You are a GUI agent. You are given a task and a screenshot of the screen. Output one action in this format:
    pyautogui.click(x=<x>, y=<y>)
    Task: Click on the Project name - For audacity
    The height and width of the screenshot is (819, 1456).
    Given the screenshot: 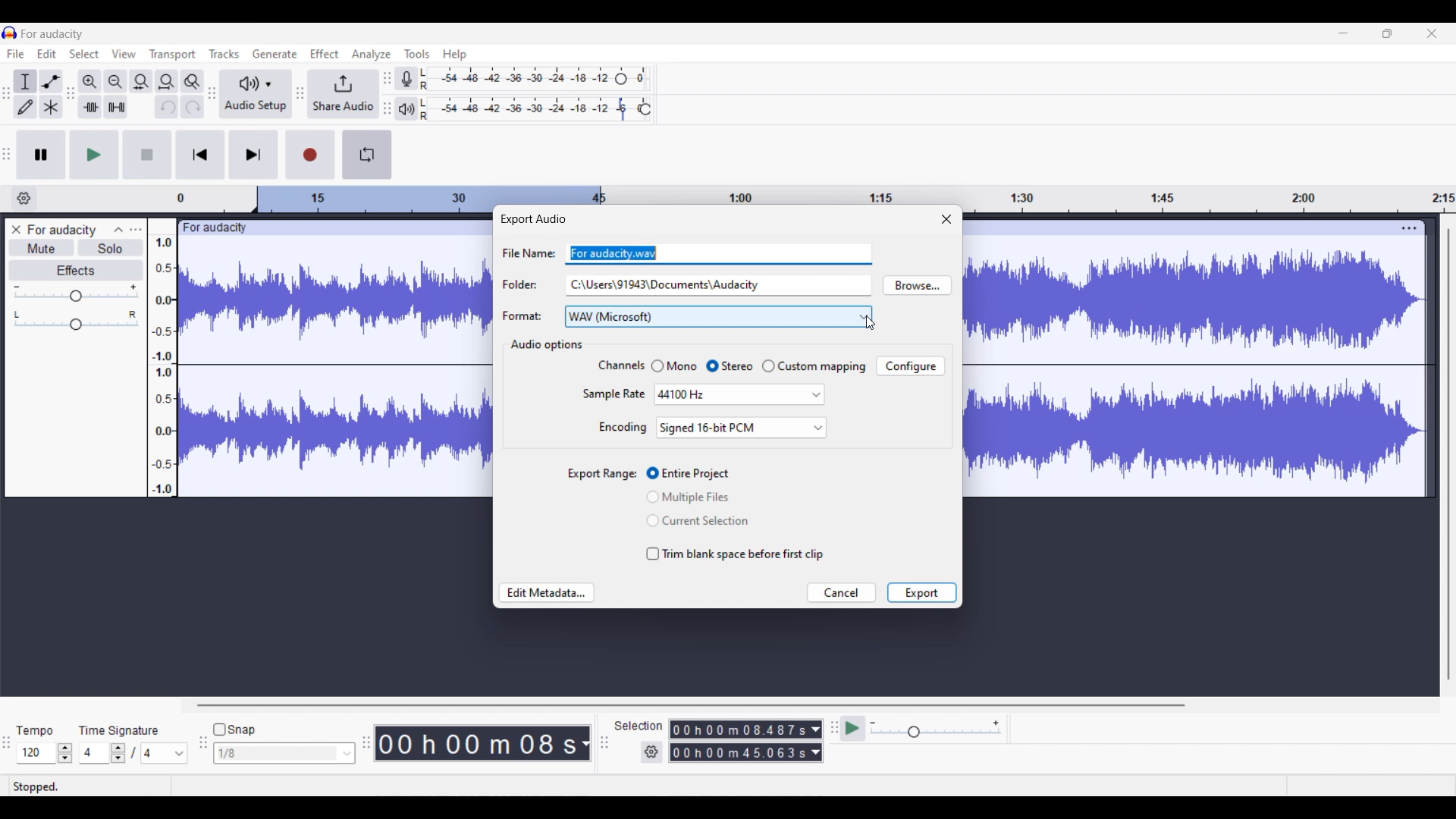 What is the action you would take?
    pyautogui.click(x=63, y=230)
    